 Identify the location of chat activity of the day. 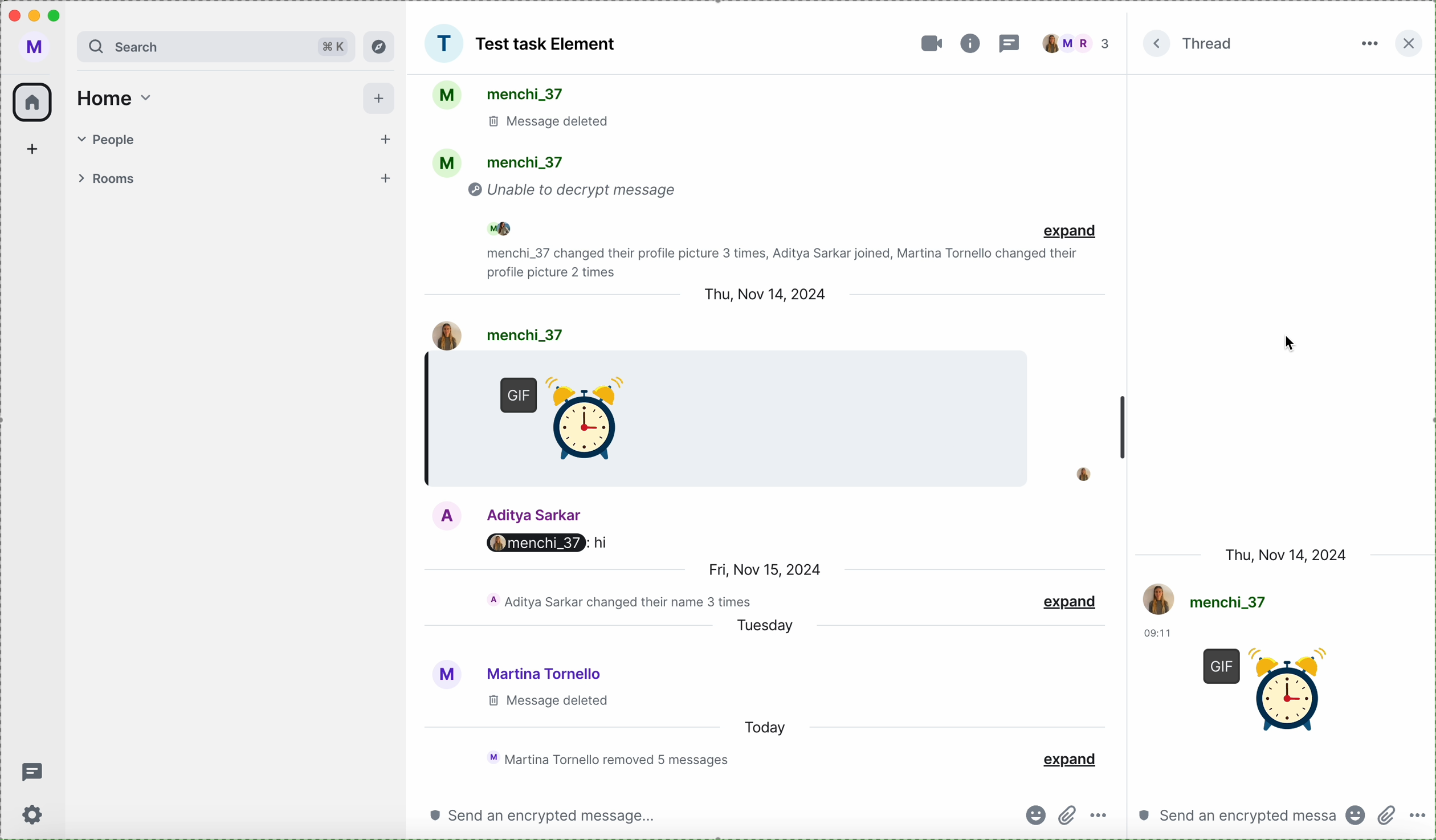
(604, 759).